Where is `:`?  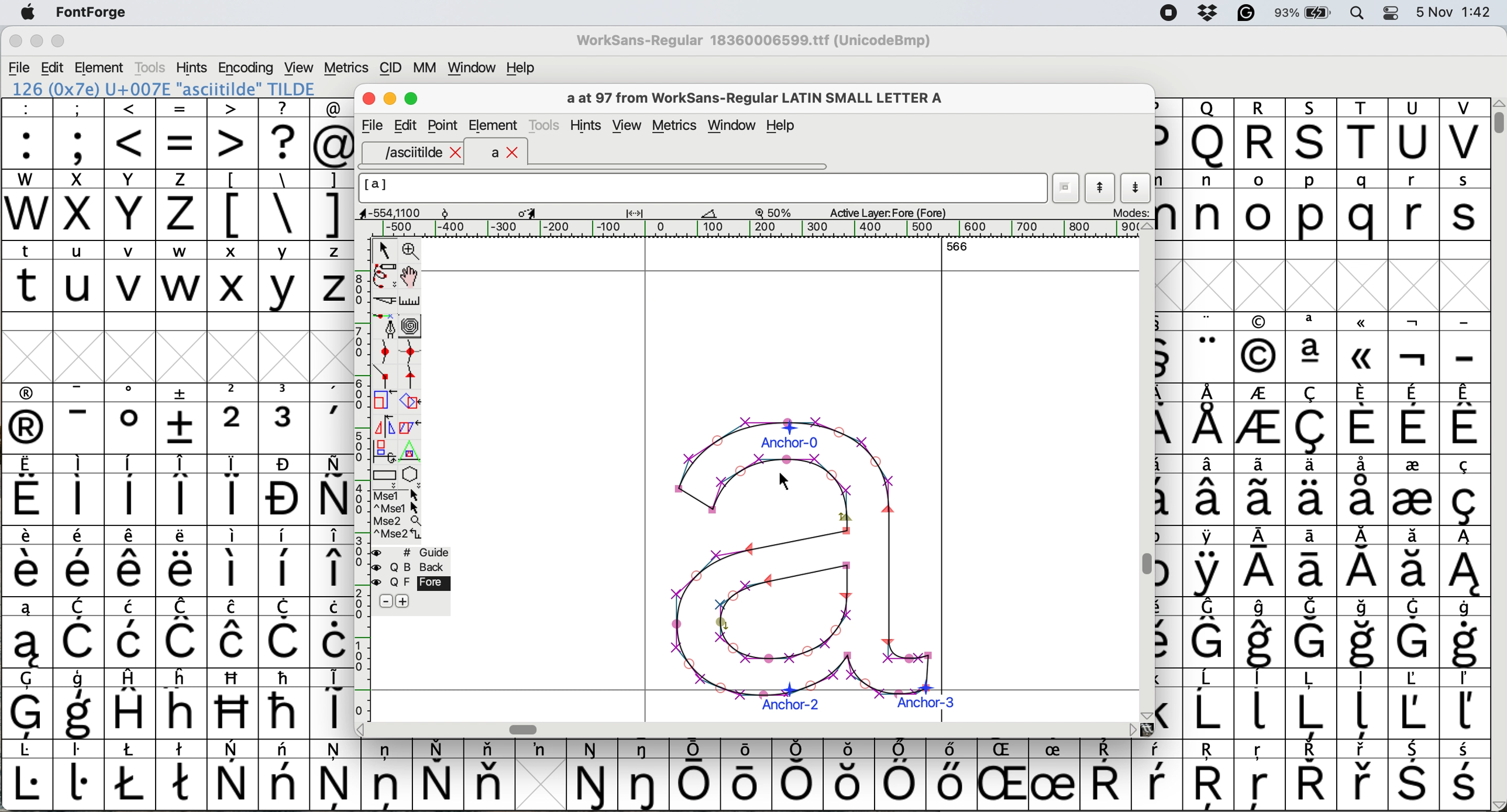
: is located at coordinates (28, 134).